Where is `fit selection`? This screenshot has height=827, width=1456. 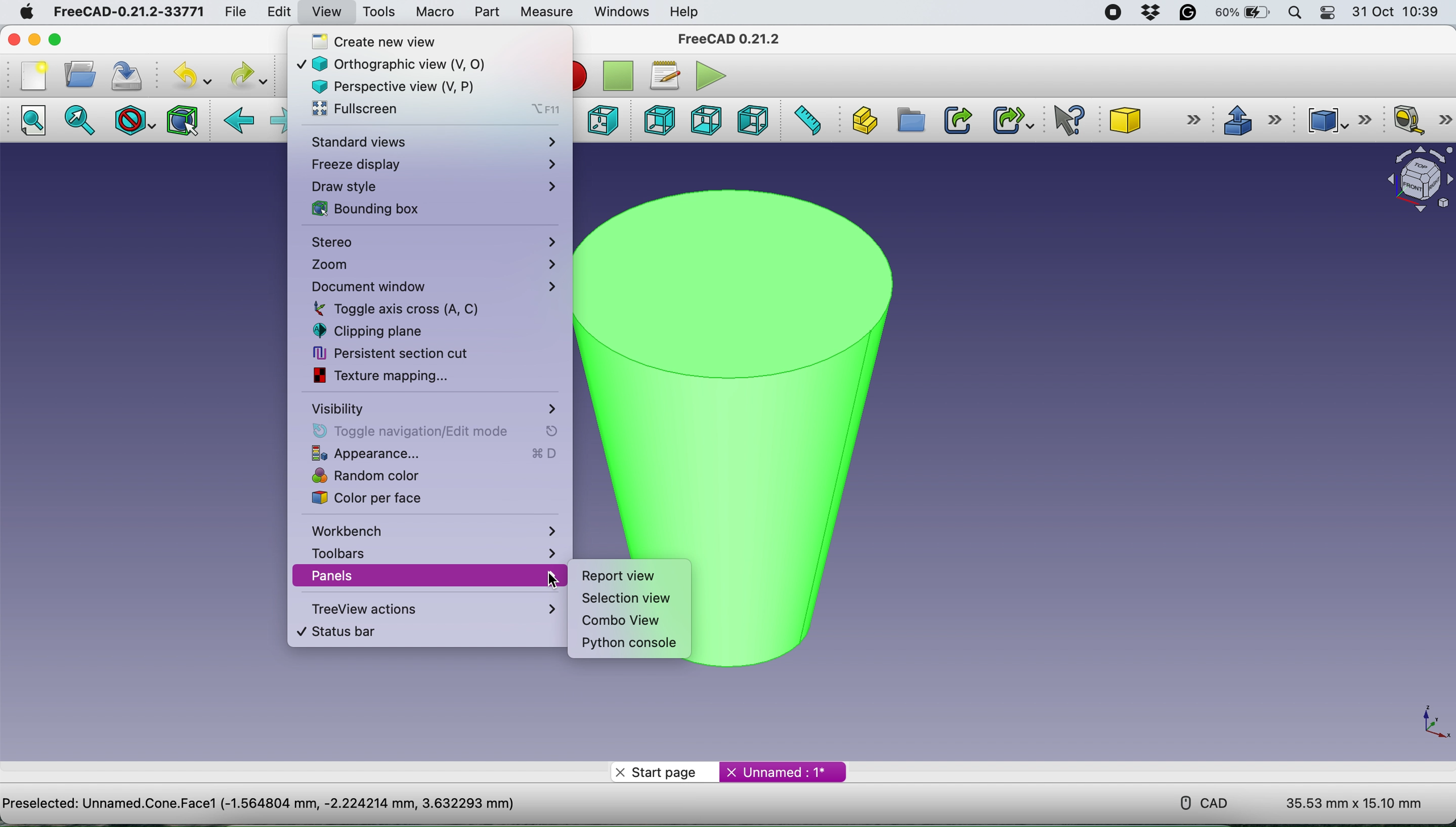 fit selection is located at coordinates (83, 121).